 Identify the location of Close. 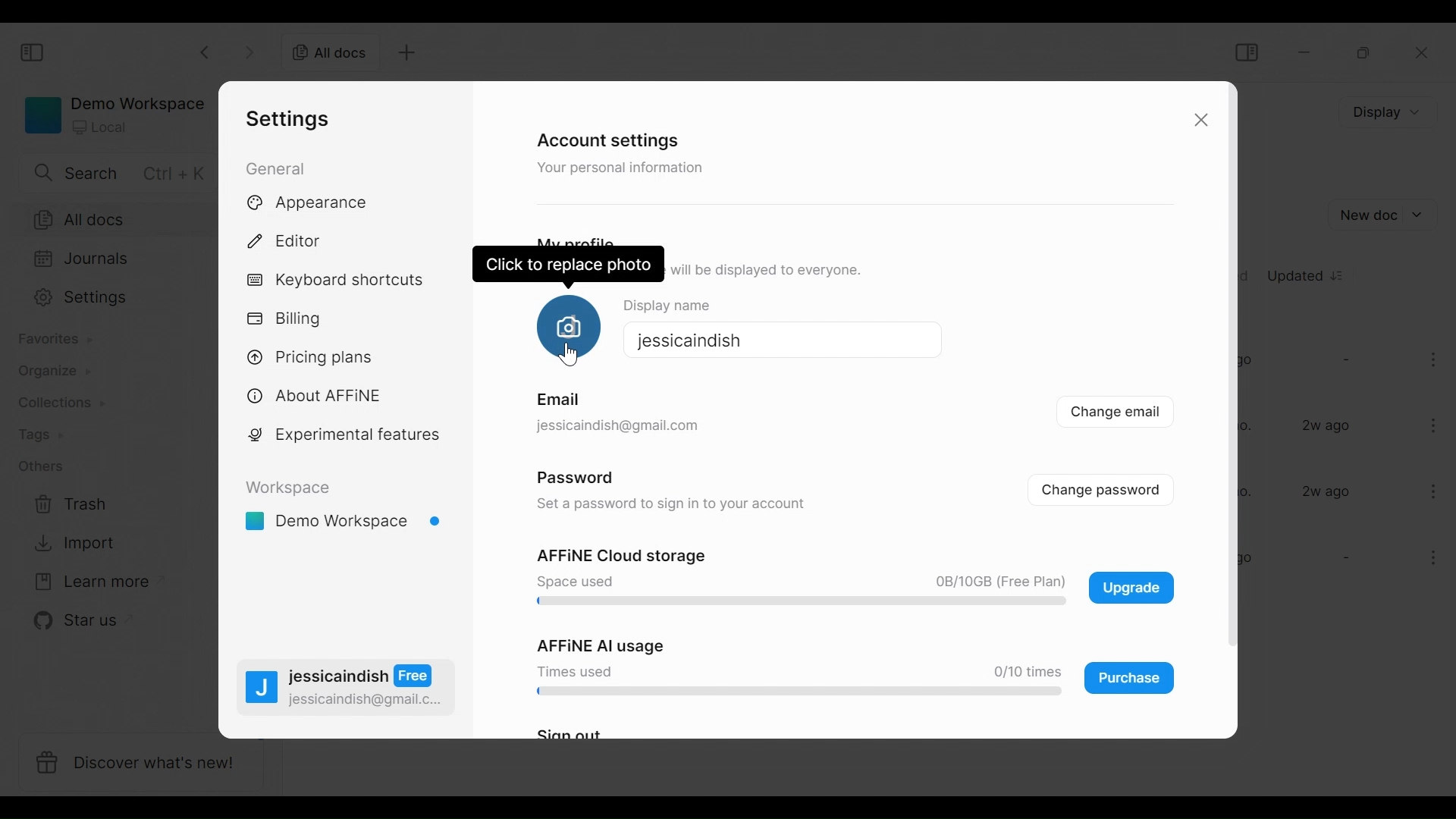
(1203, 121).